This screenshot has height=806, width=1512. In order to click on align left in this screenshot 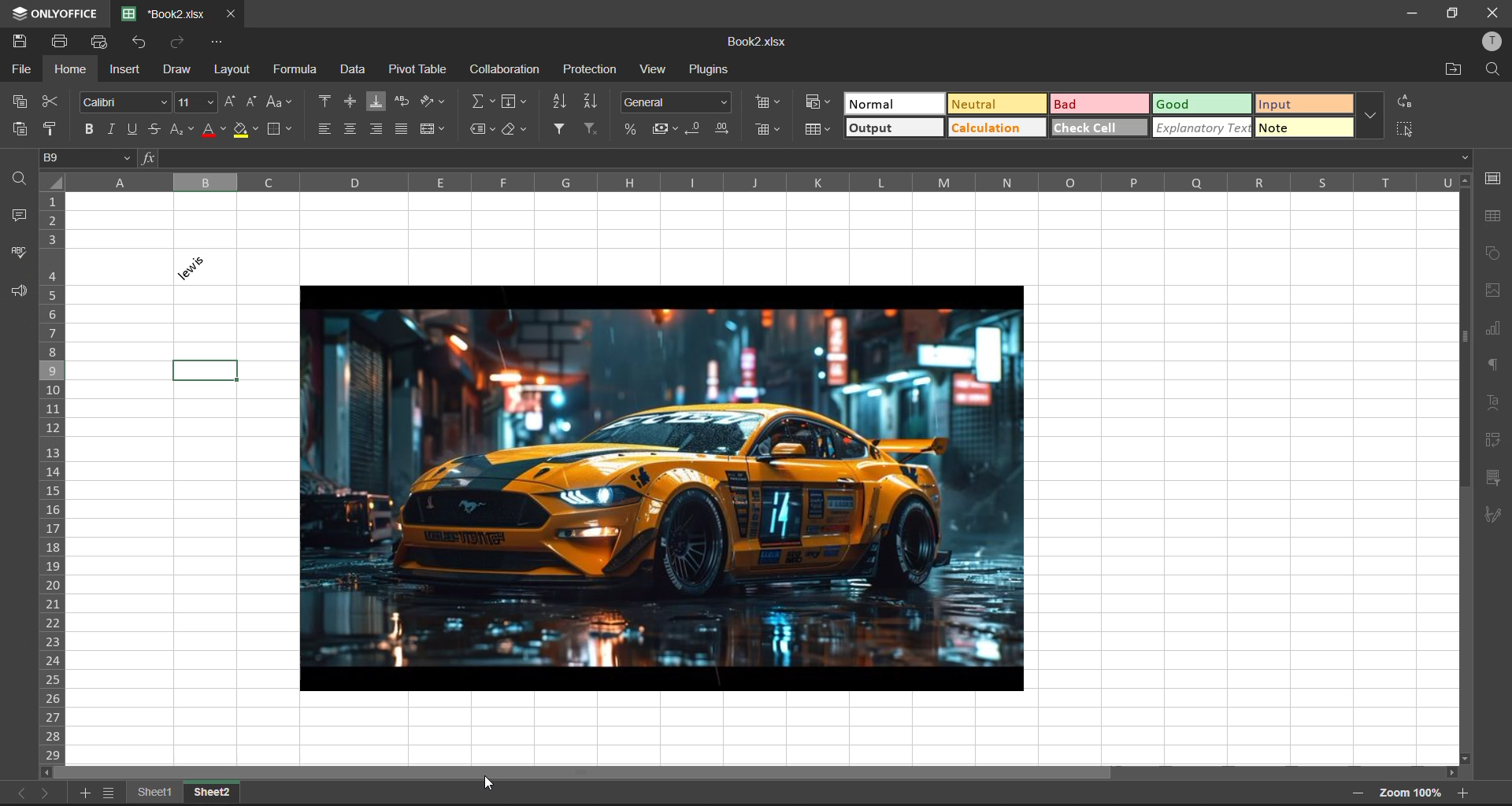, I will do `click(328, 130)`.